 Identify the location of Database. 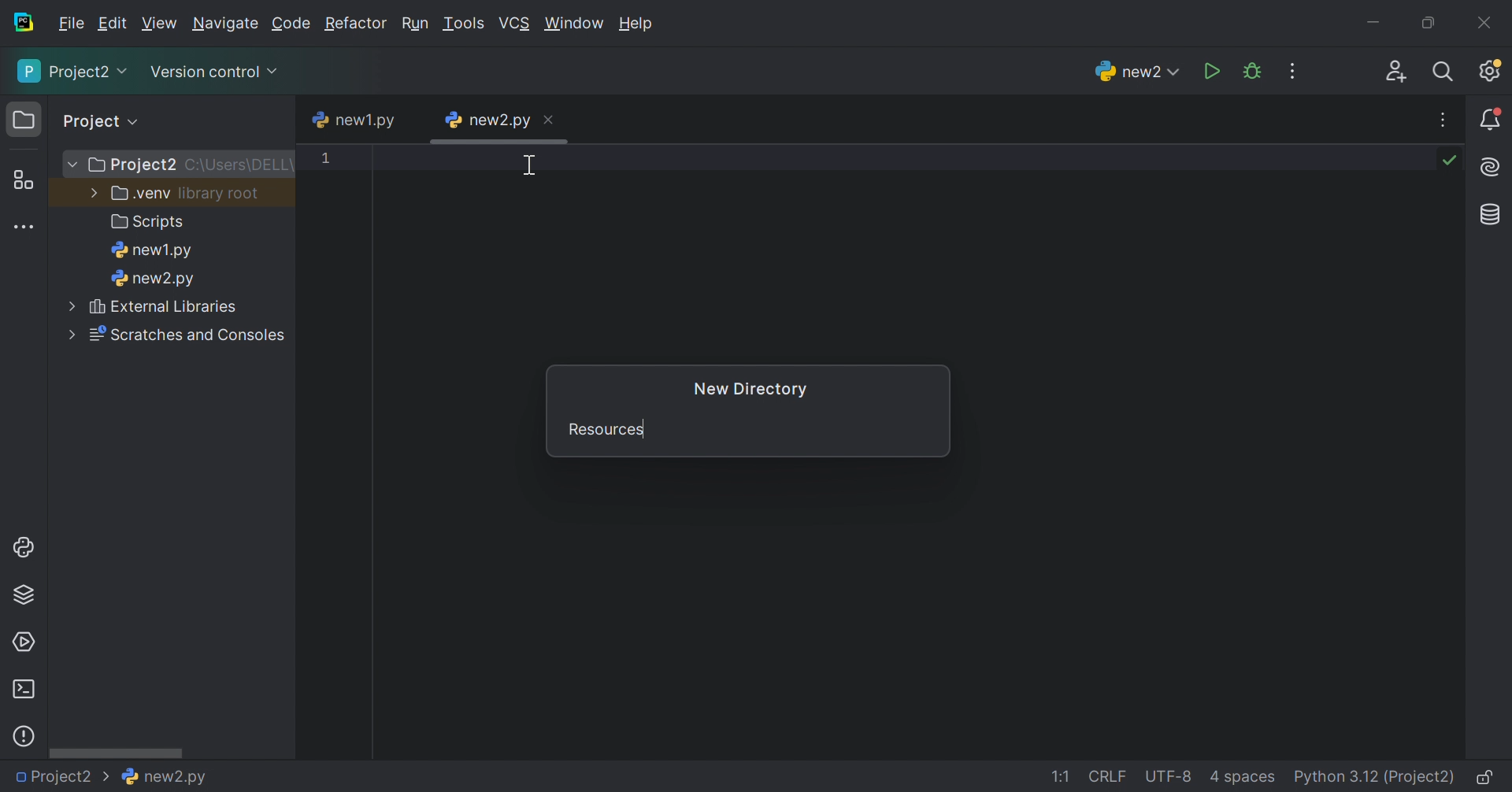
(1492, 216).